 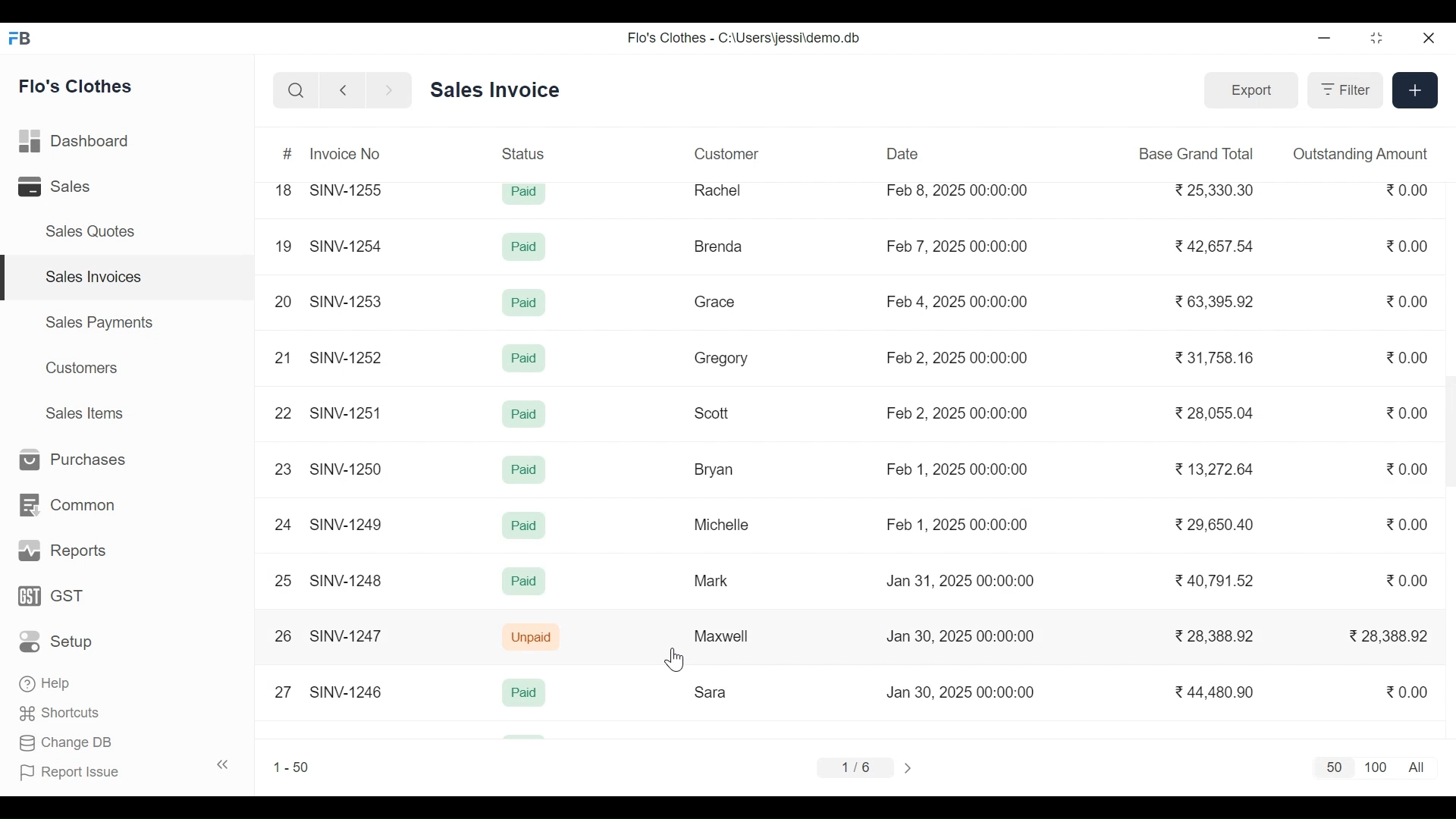 I want to click on SINV-1248, so click(x=347, y=579).